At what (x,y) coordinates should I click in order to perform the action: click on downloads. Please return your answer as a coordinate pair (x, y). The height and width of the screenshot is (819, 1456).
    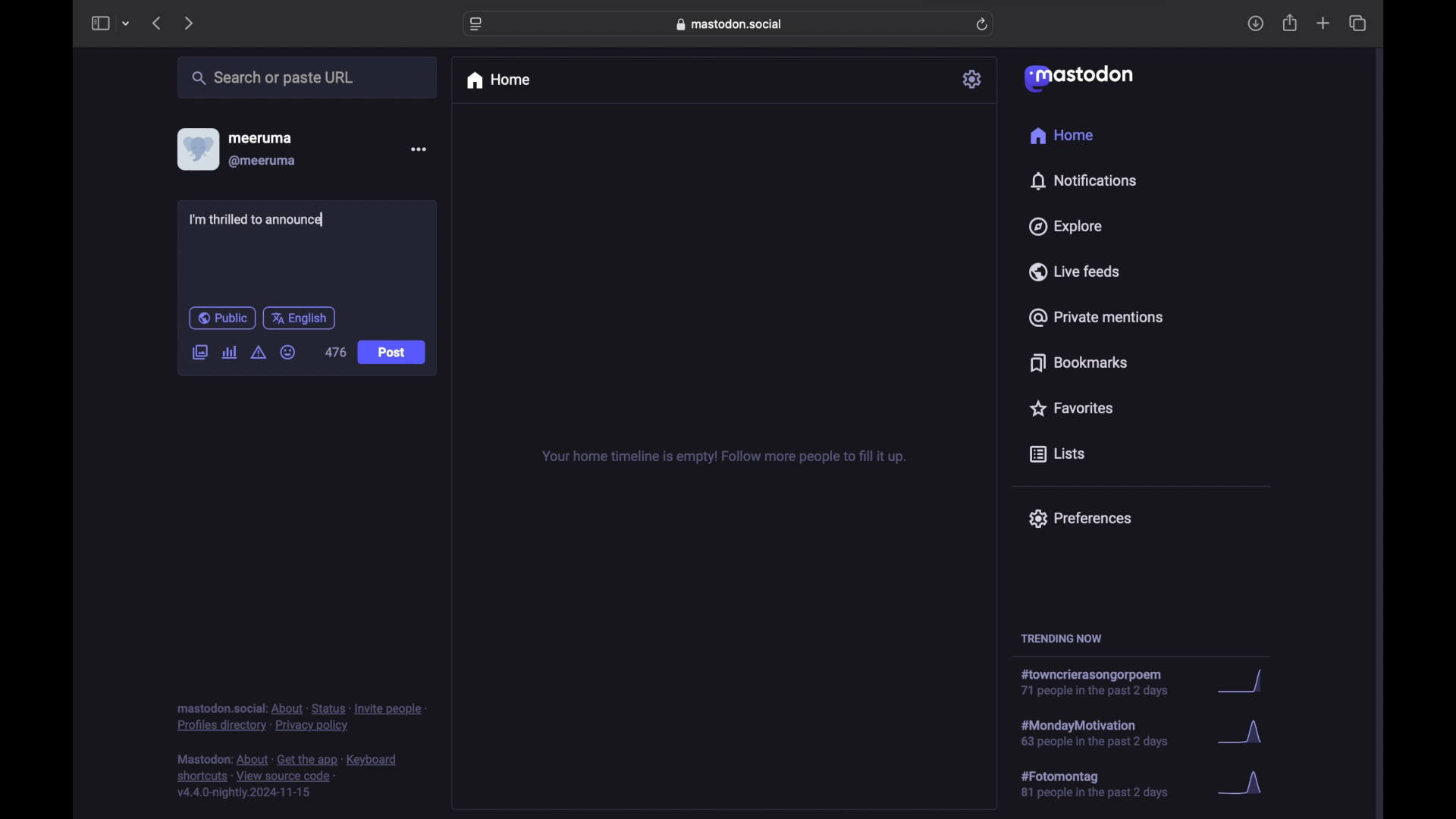
    Looking at the image, I should click on (1255, 24).